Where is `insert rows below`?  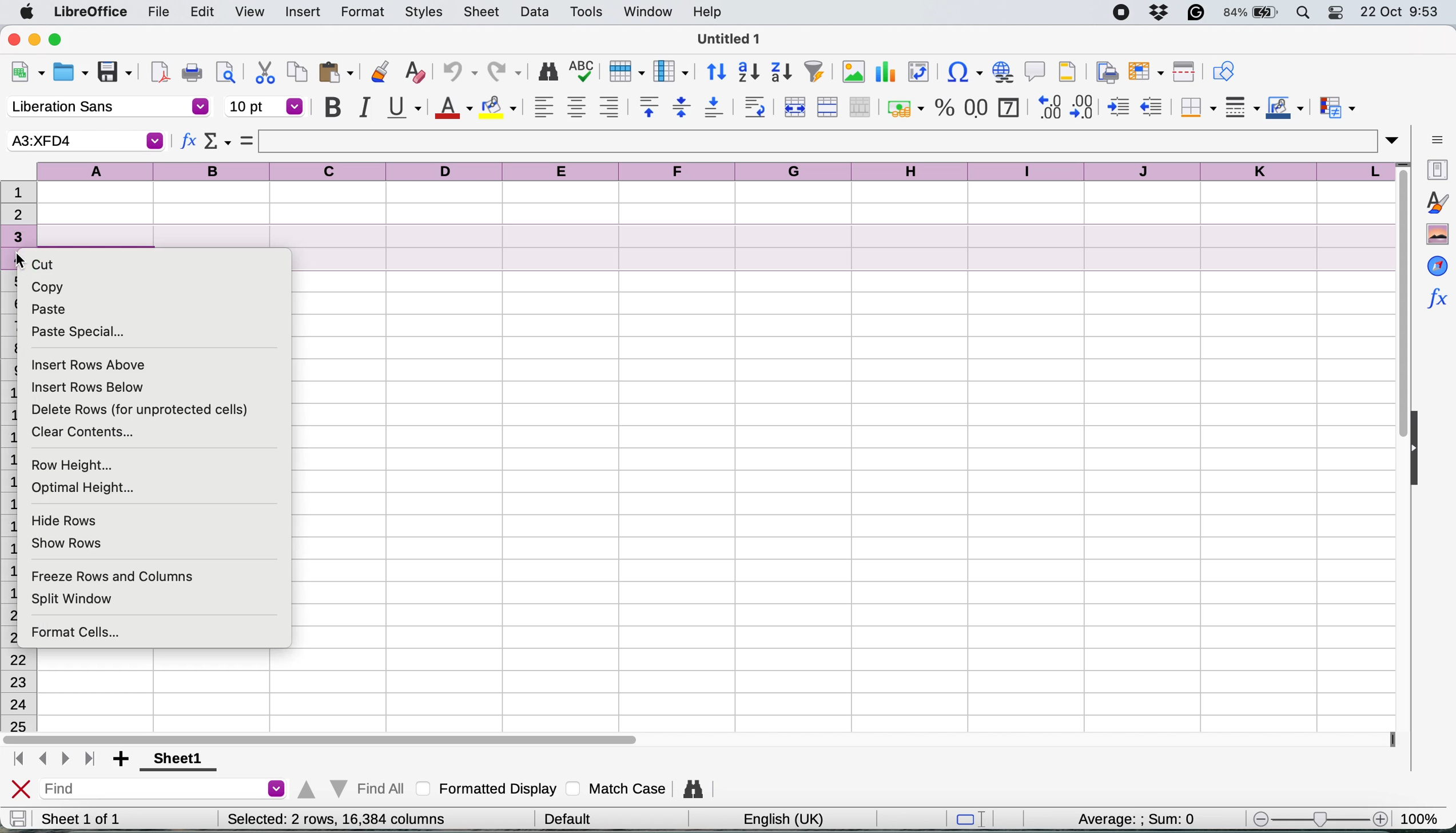
insert rows below is located at coordinates (87, 387).